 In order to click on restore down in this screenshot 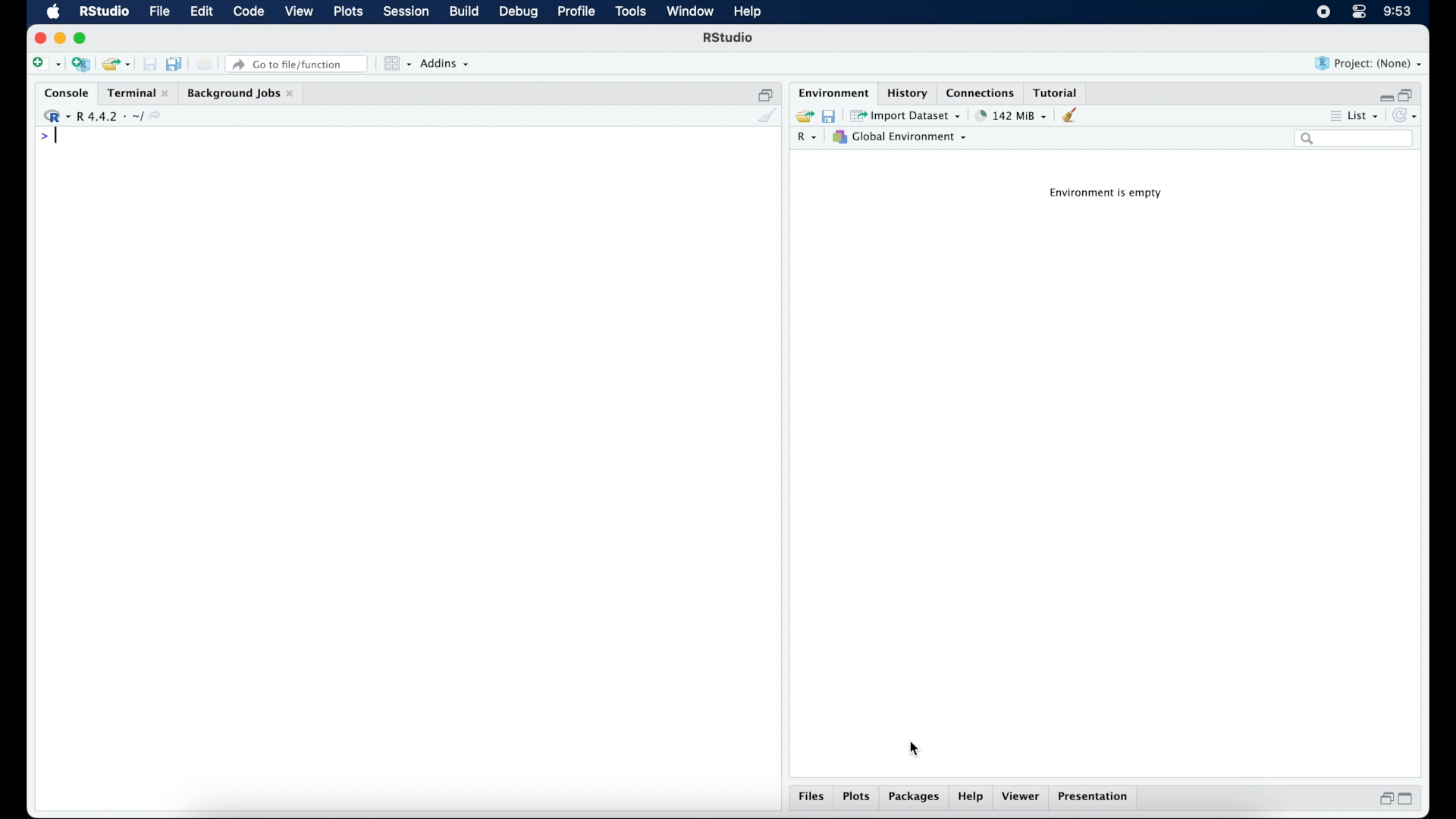, I will do `click(1410, 93)`.